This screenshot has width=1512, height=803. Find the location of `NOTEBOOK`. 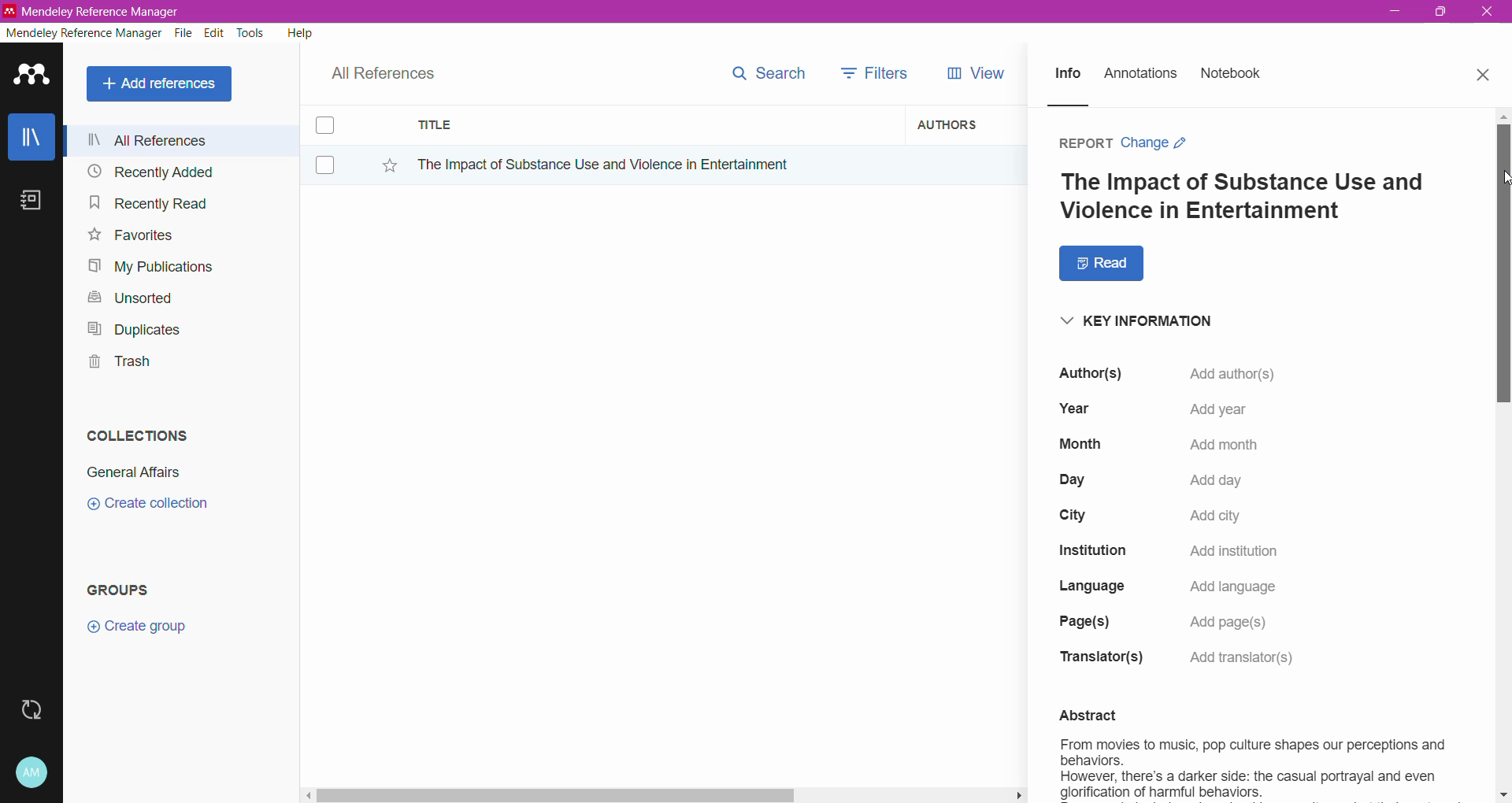

NOTEBOOK is located at coordinates (1235, 76).